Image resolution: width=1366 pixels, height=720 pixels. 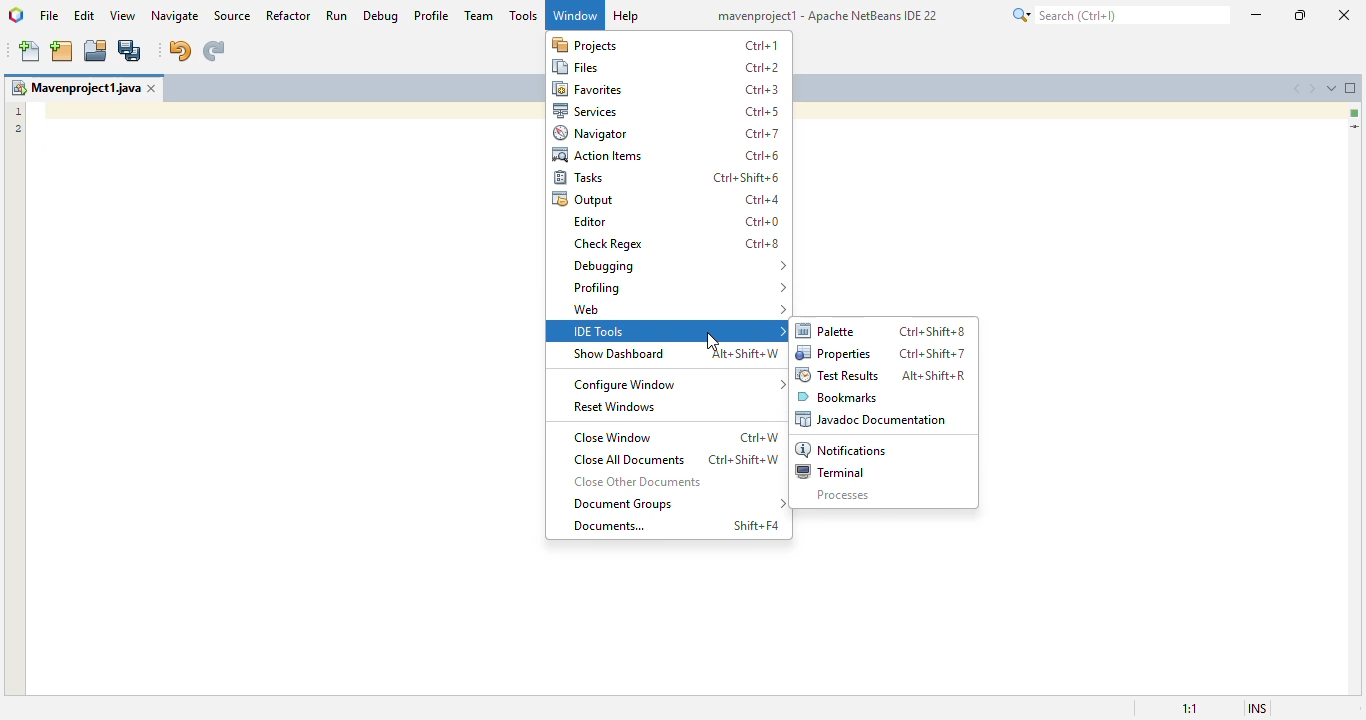 I want to click on processes, so click(x=843, y=495).